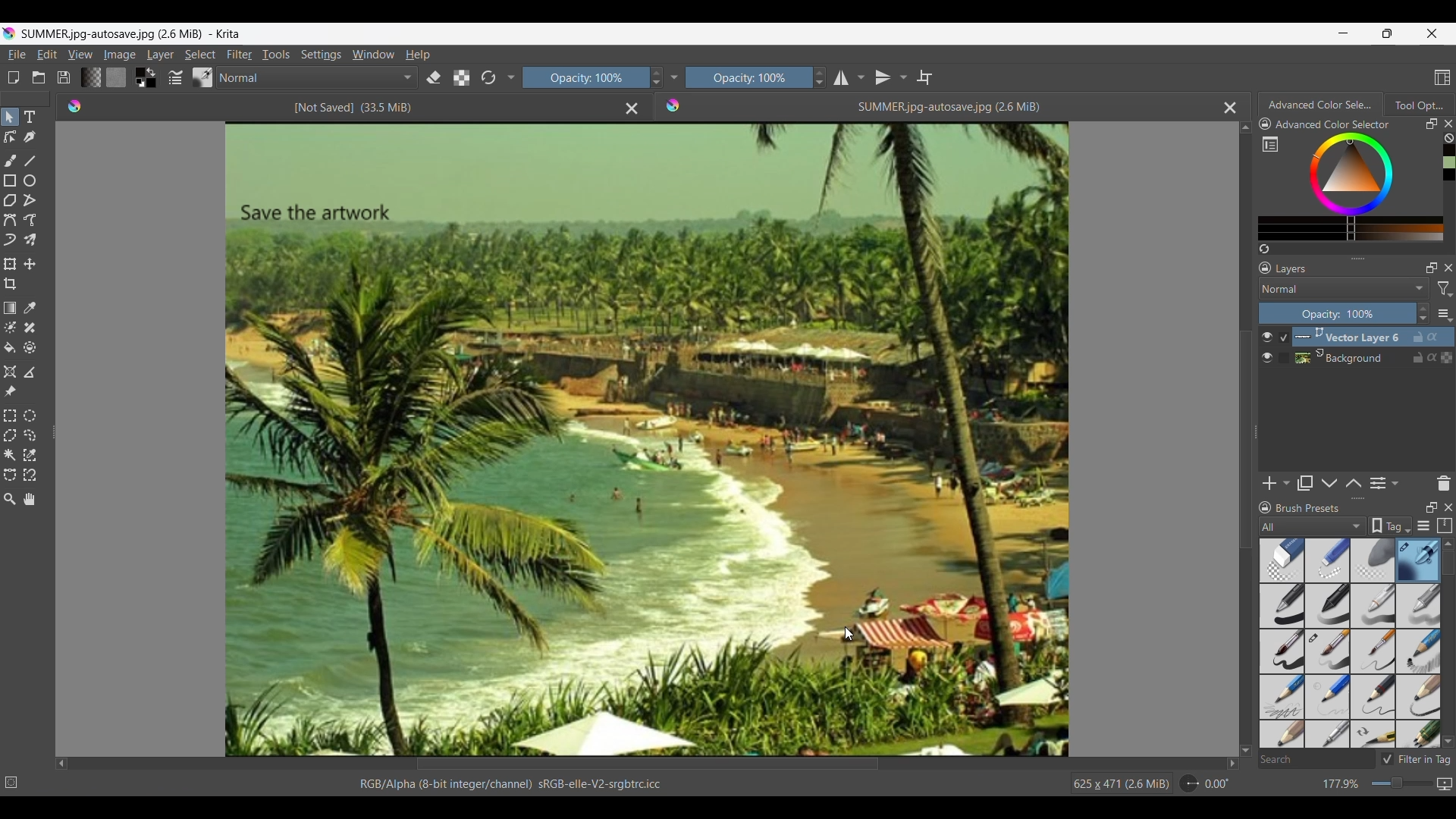 The image size is (1456, 819). I want to click on Create a list of colors from the image, so click(1265, 249).